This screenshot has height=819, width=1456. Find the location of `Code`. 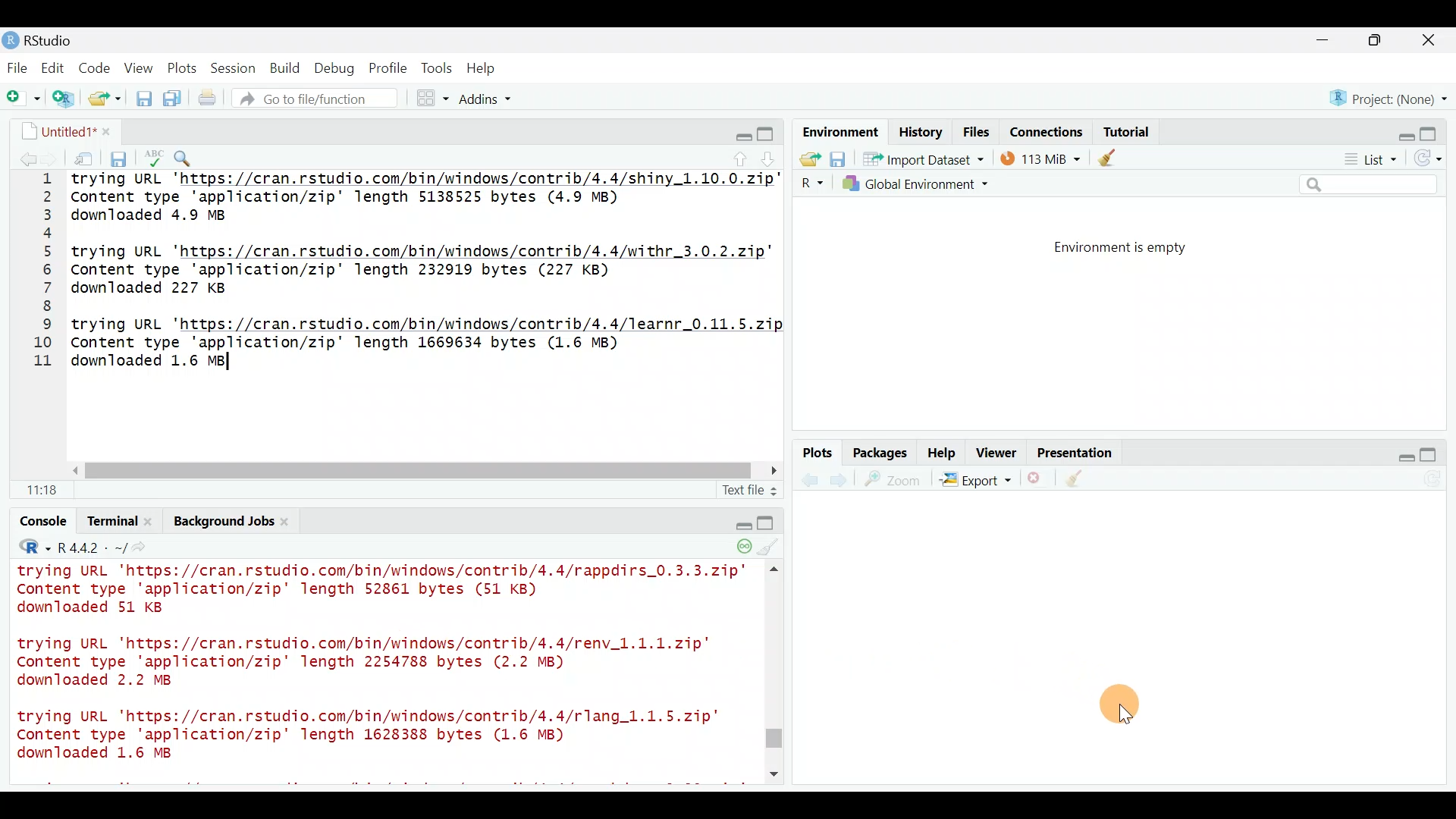

Code is located at coordinates (96, 67).